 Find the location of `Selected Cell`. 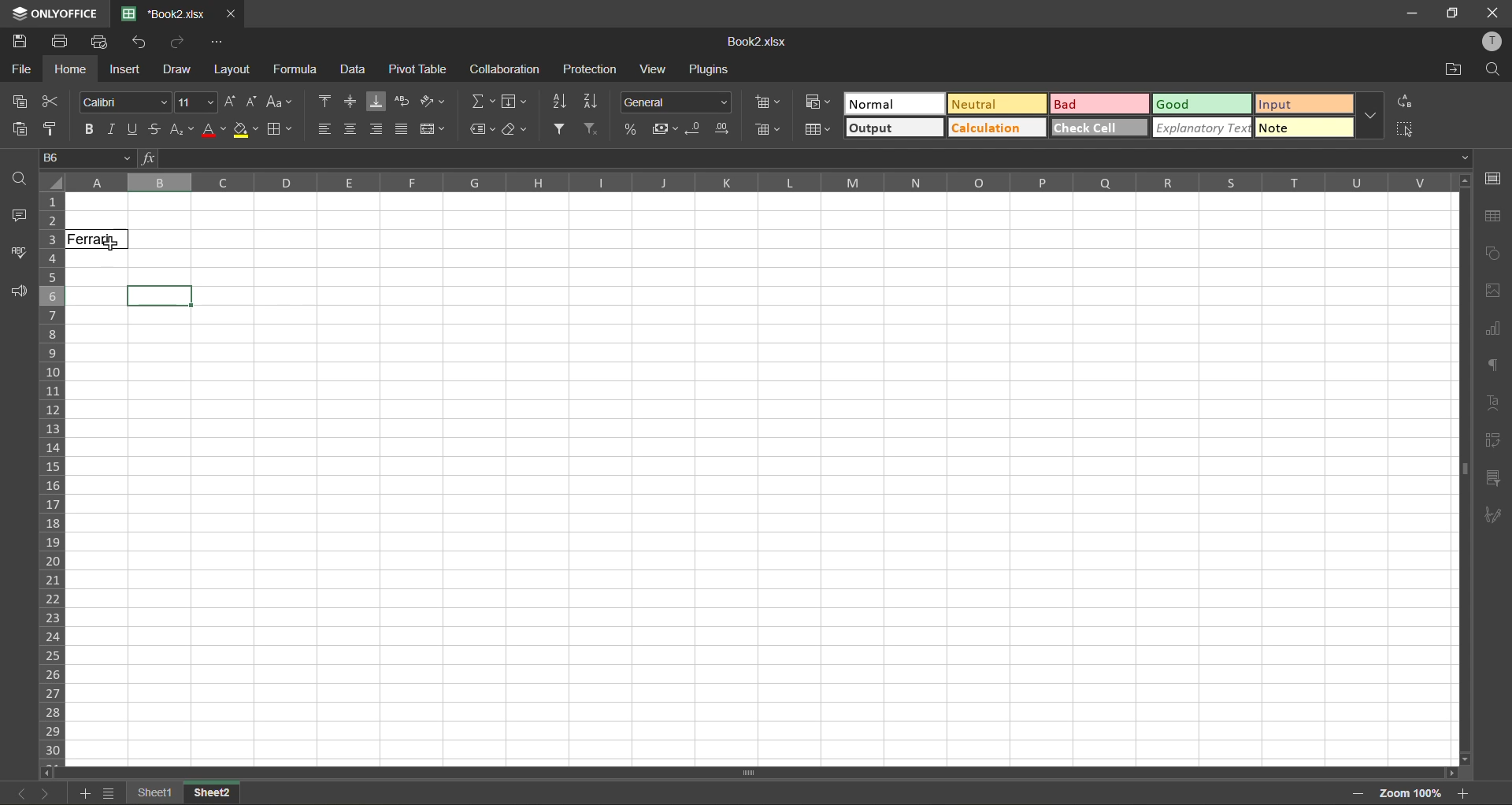

Selected Cell is located at coordinates (161, 297).